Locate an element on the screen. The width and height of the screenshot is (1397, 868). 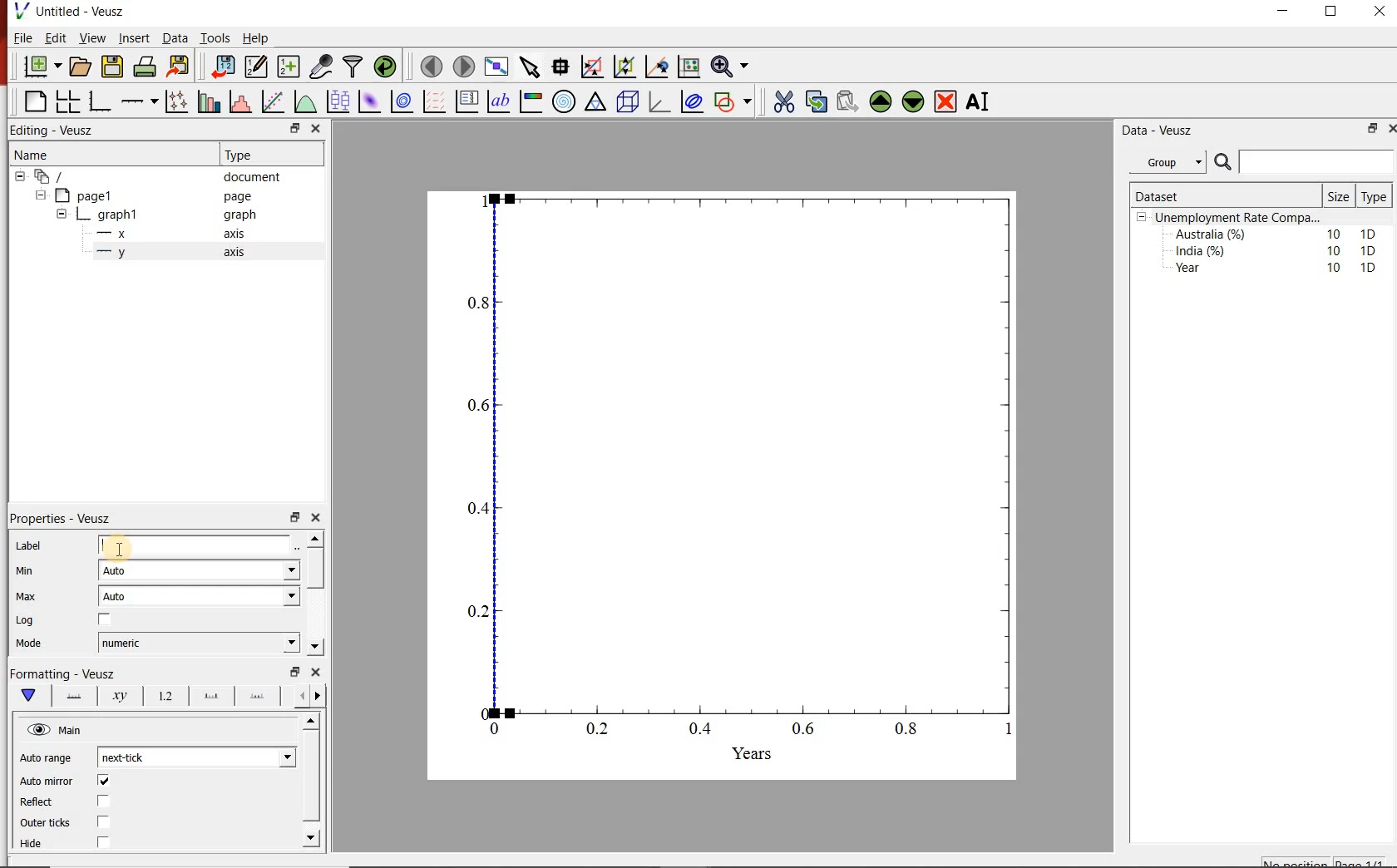
collpase is located at coordinates (1142, 218).